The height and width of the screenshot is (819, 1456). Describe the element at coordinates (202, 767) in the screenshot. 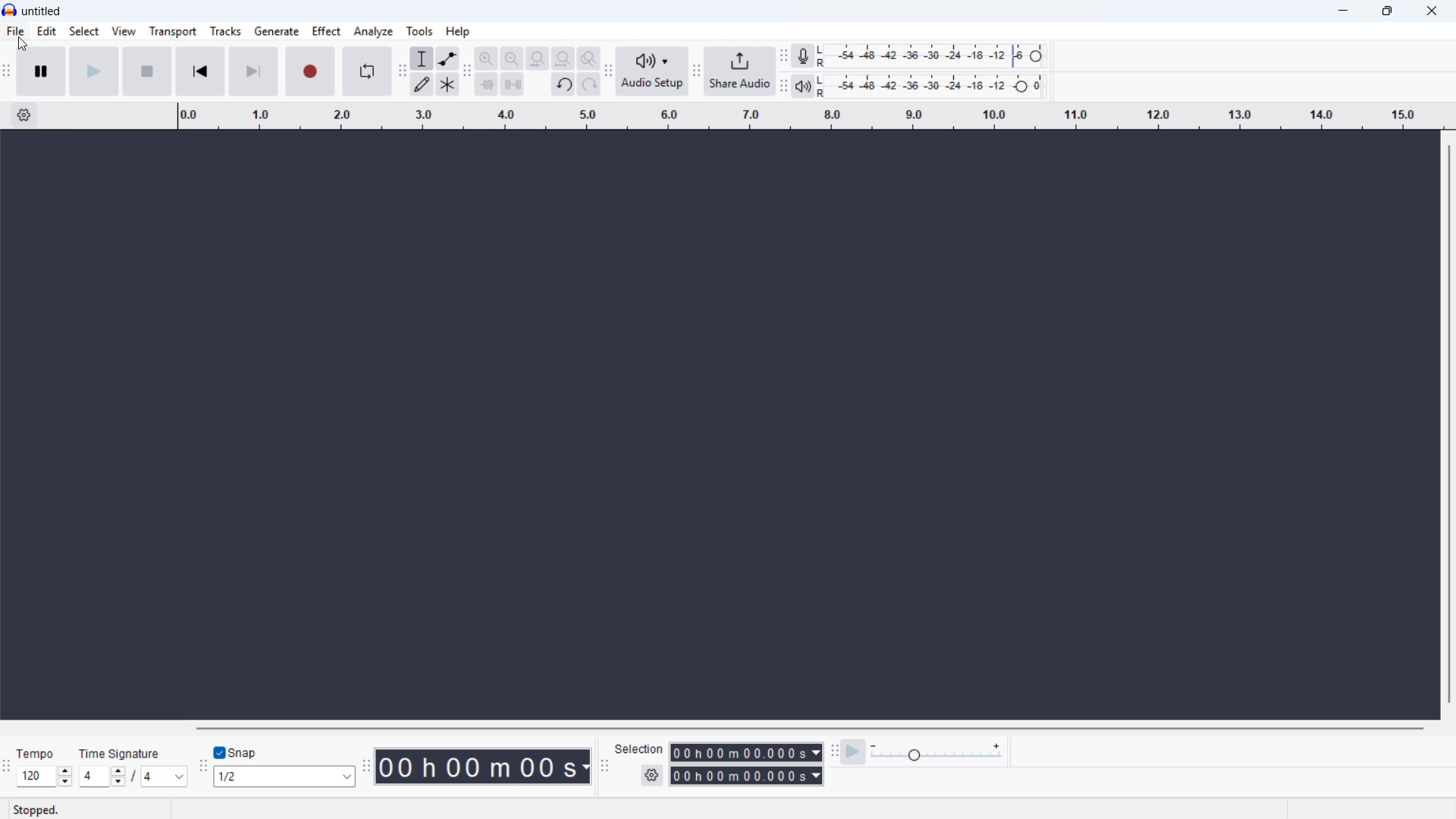

I see `Snapping toolbar ` at that location.